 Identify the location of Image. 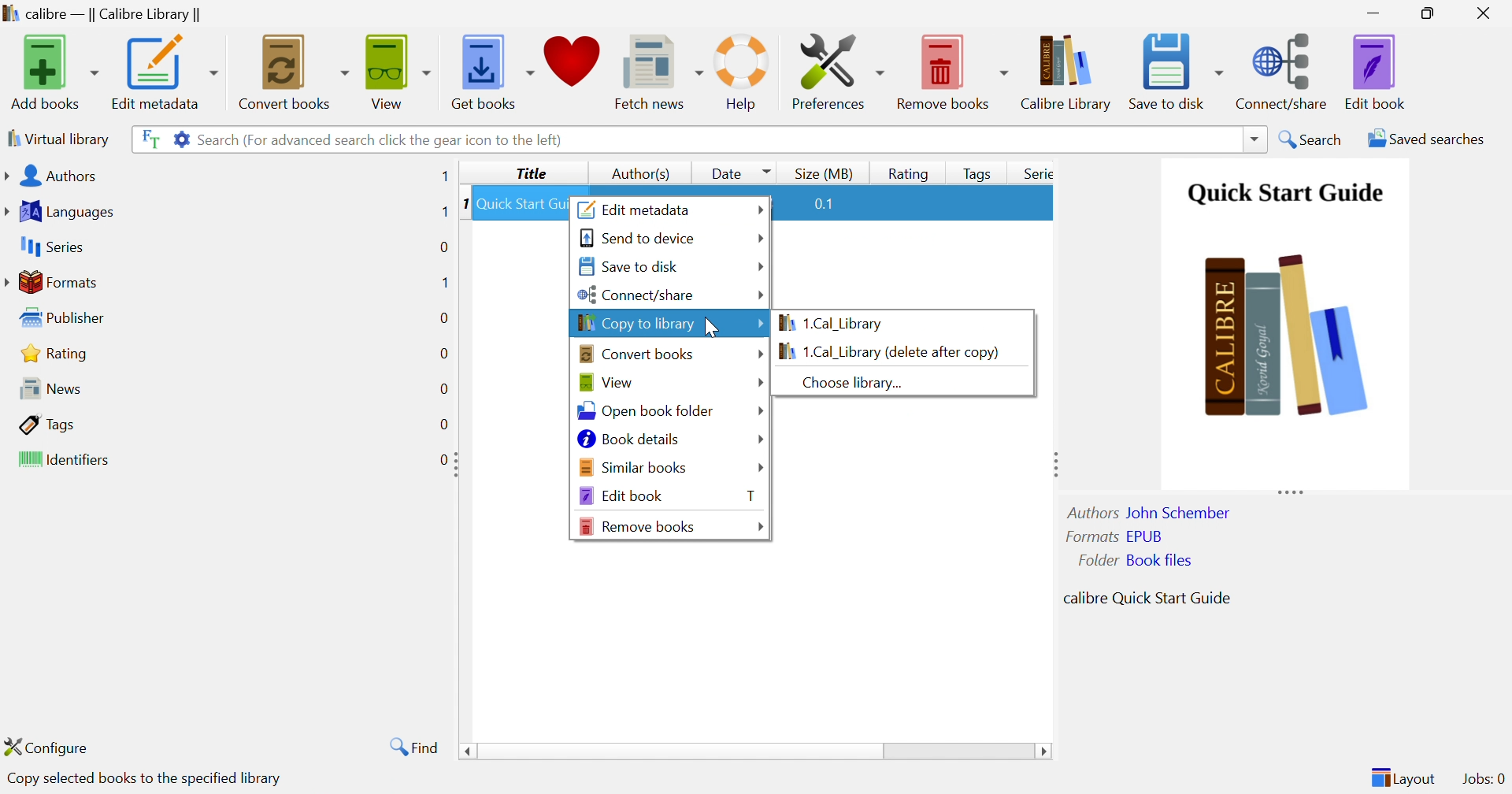
(1288, 339).